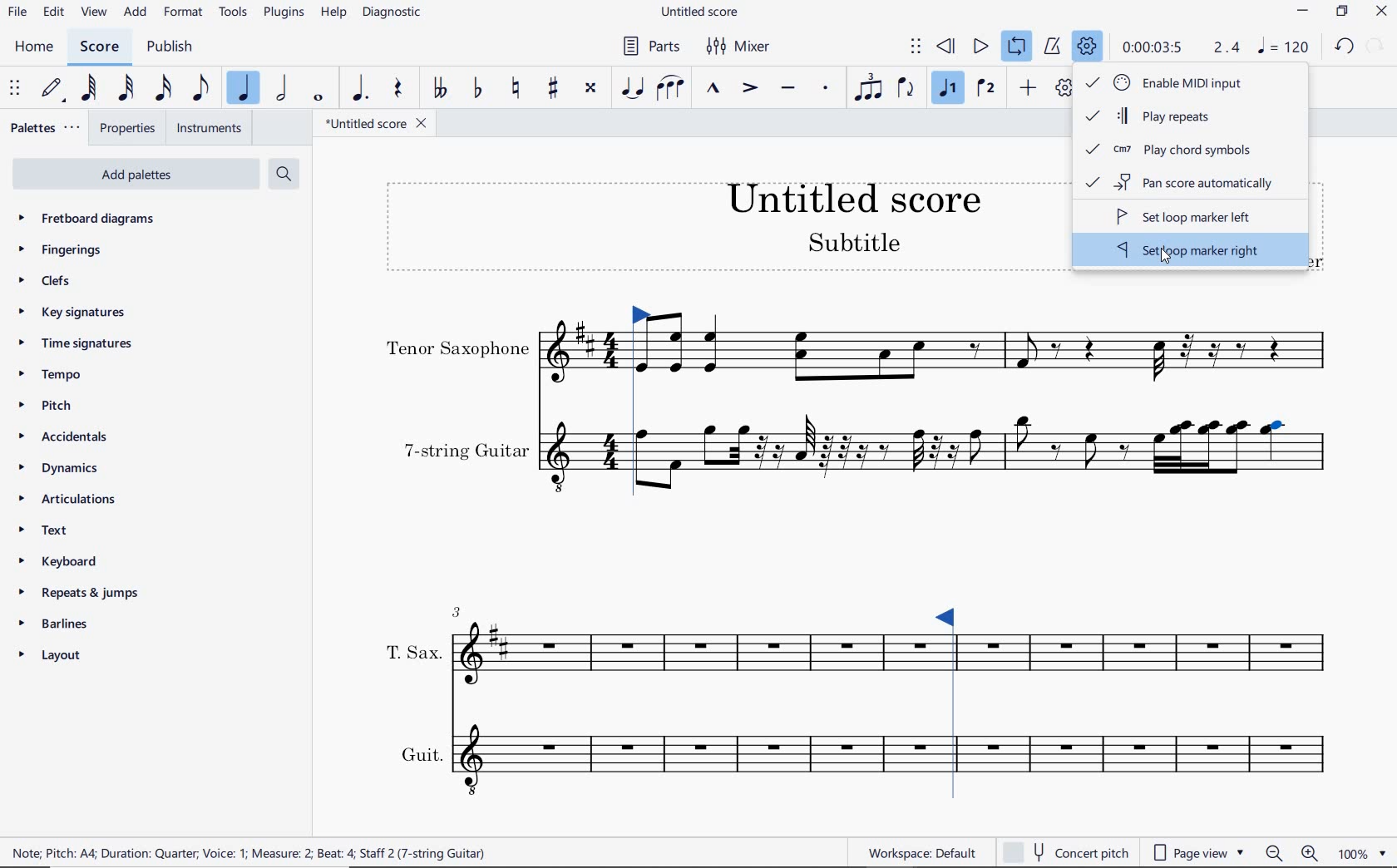  What do you see at coordinates (361, 89) in the screenshot?
I see `AUGMENTATION DOT` at bounding box center [361, 89].